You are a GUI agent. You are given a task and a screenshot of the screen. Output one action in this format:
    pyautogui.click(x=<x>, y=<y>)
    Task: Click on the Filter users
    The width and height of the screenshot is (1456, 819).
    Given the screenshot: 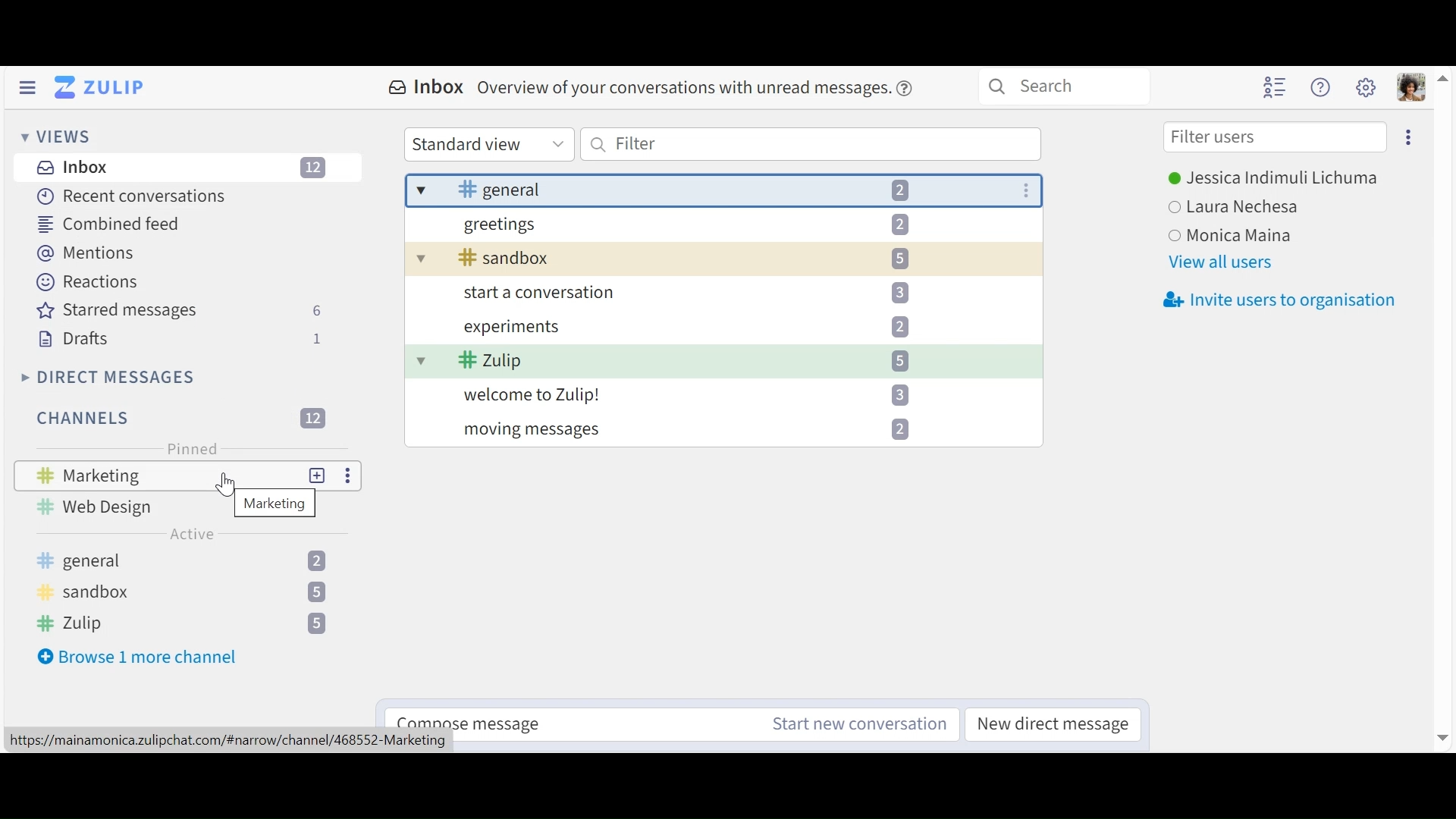 What is the action you would take?
    pyautogui.click(x=1275, y=138)
    